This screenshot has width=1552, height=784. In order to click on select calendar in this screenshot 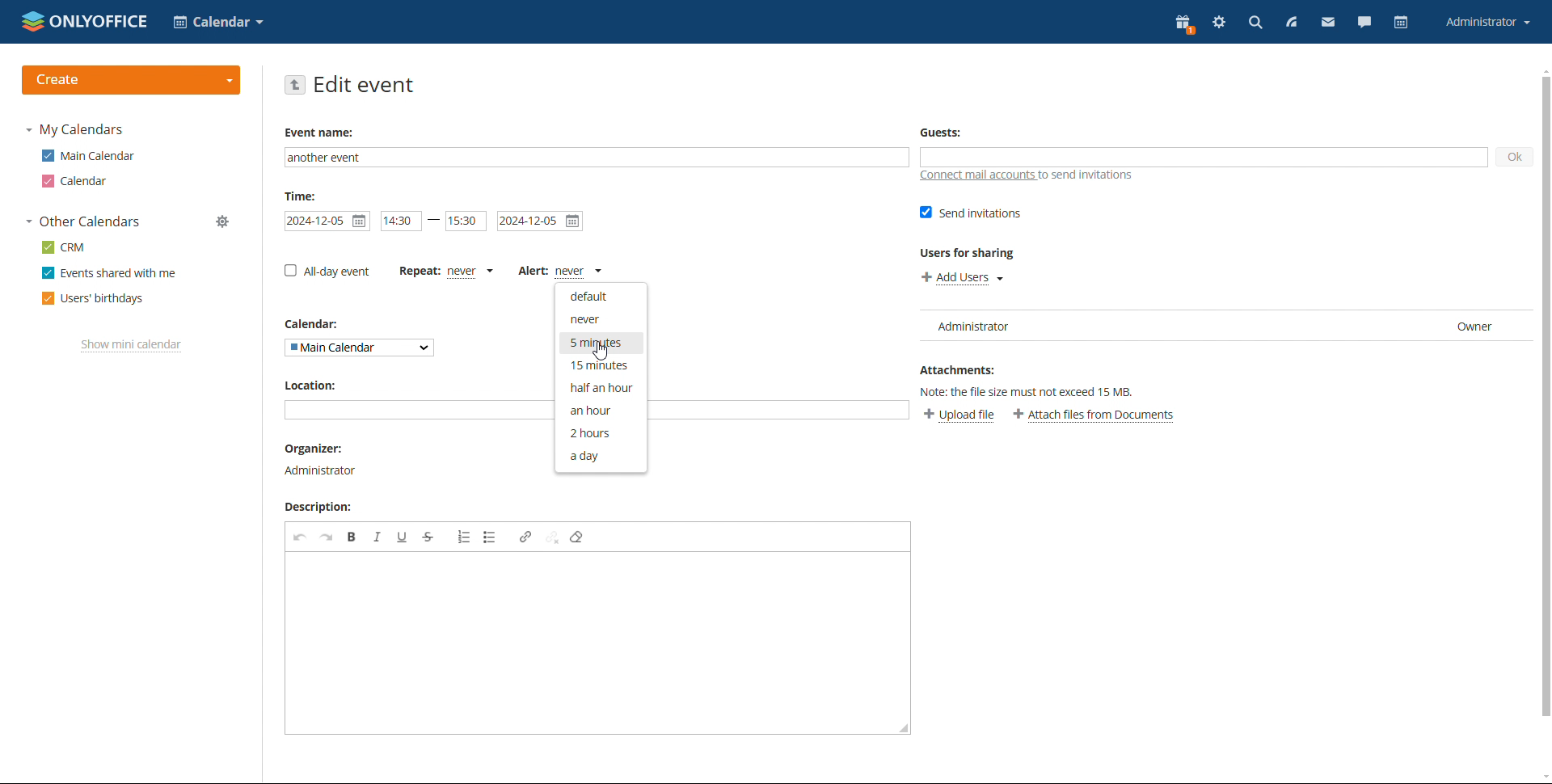, I will do `click(359, 348)`.